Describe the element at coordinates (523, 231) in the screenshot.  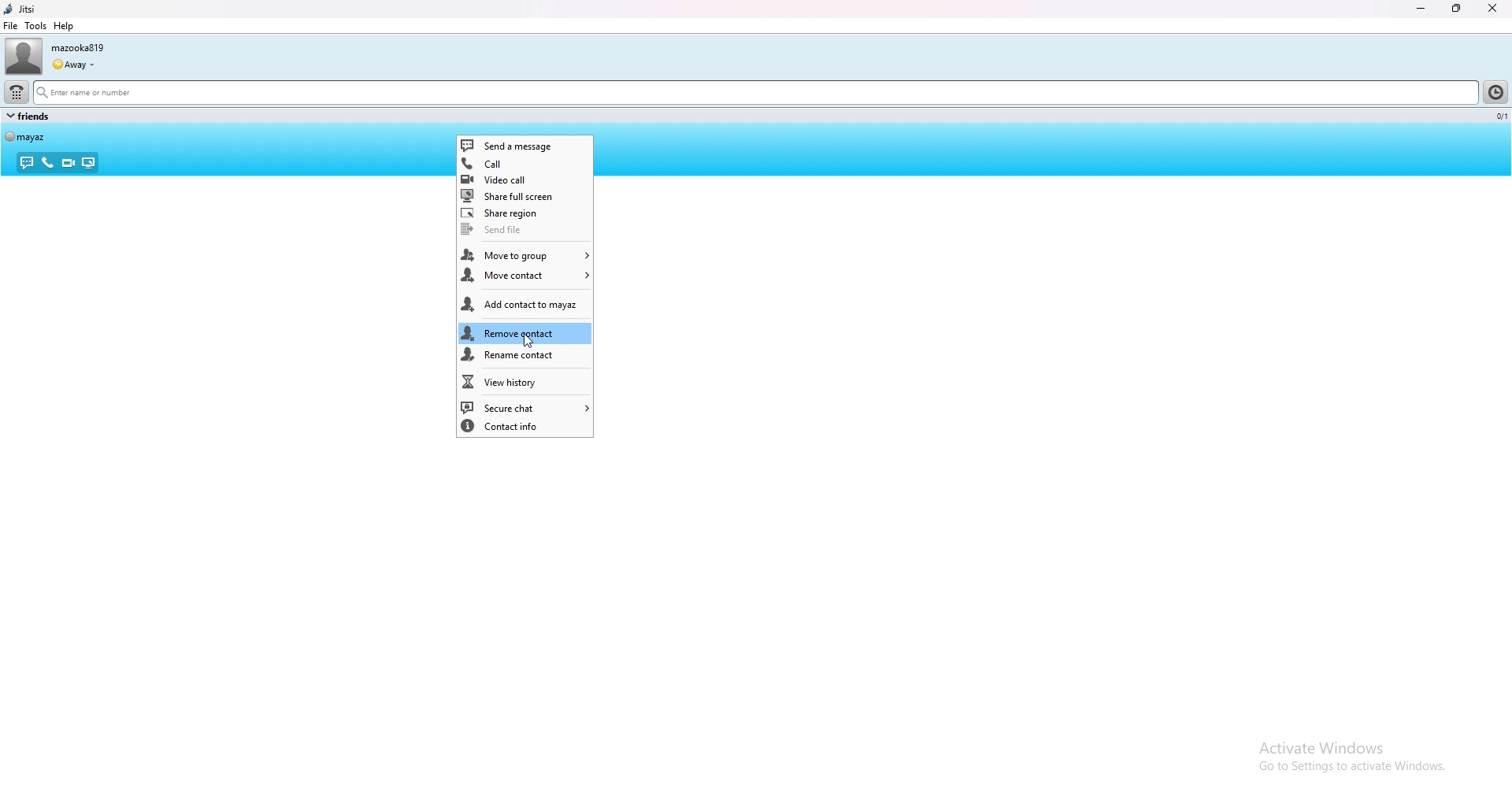
I see `send file` at that location.